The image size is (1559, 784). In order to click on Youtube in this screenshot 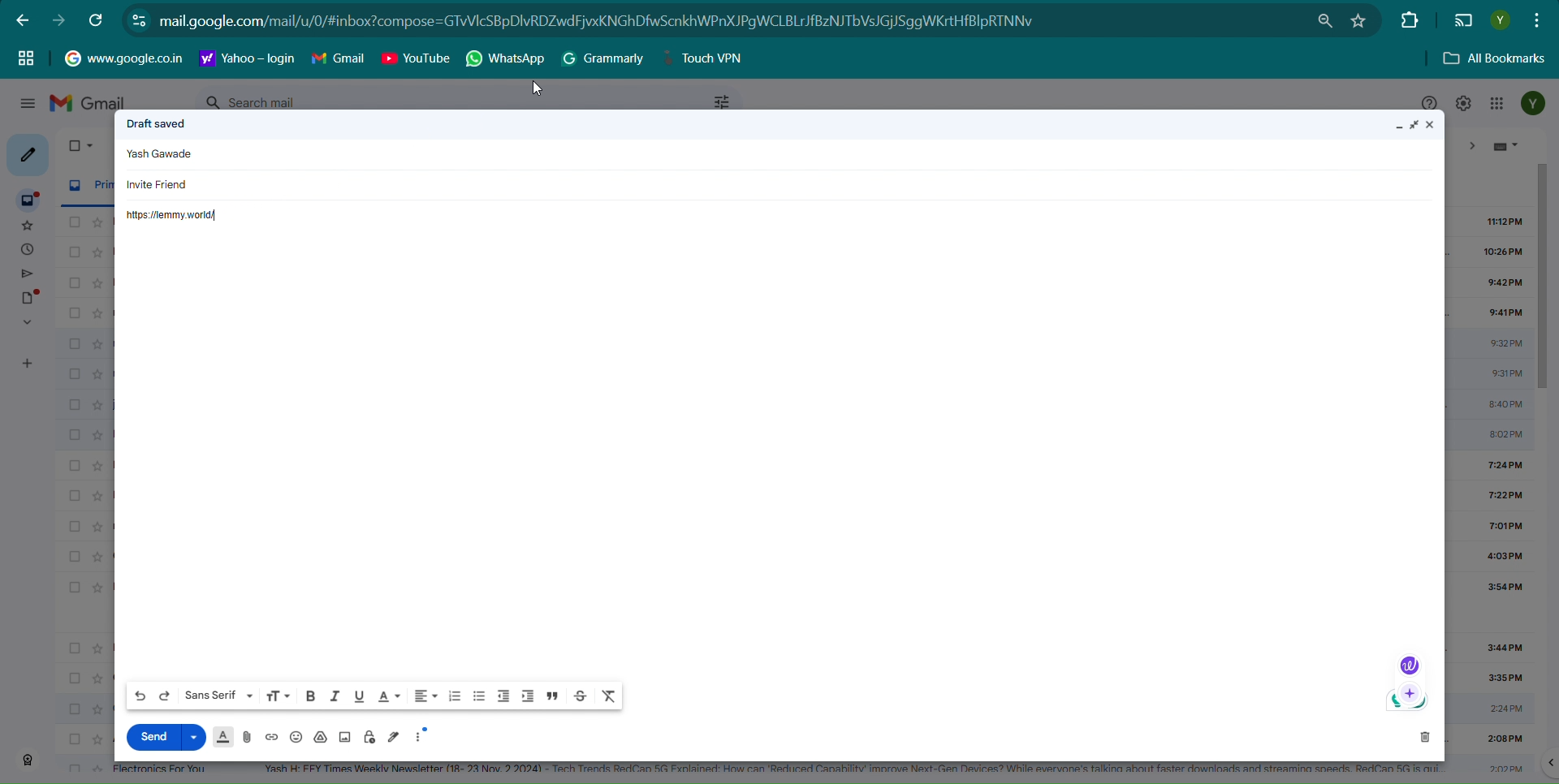, I will do `click(416, 58)`.